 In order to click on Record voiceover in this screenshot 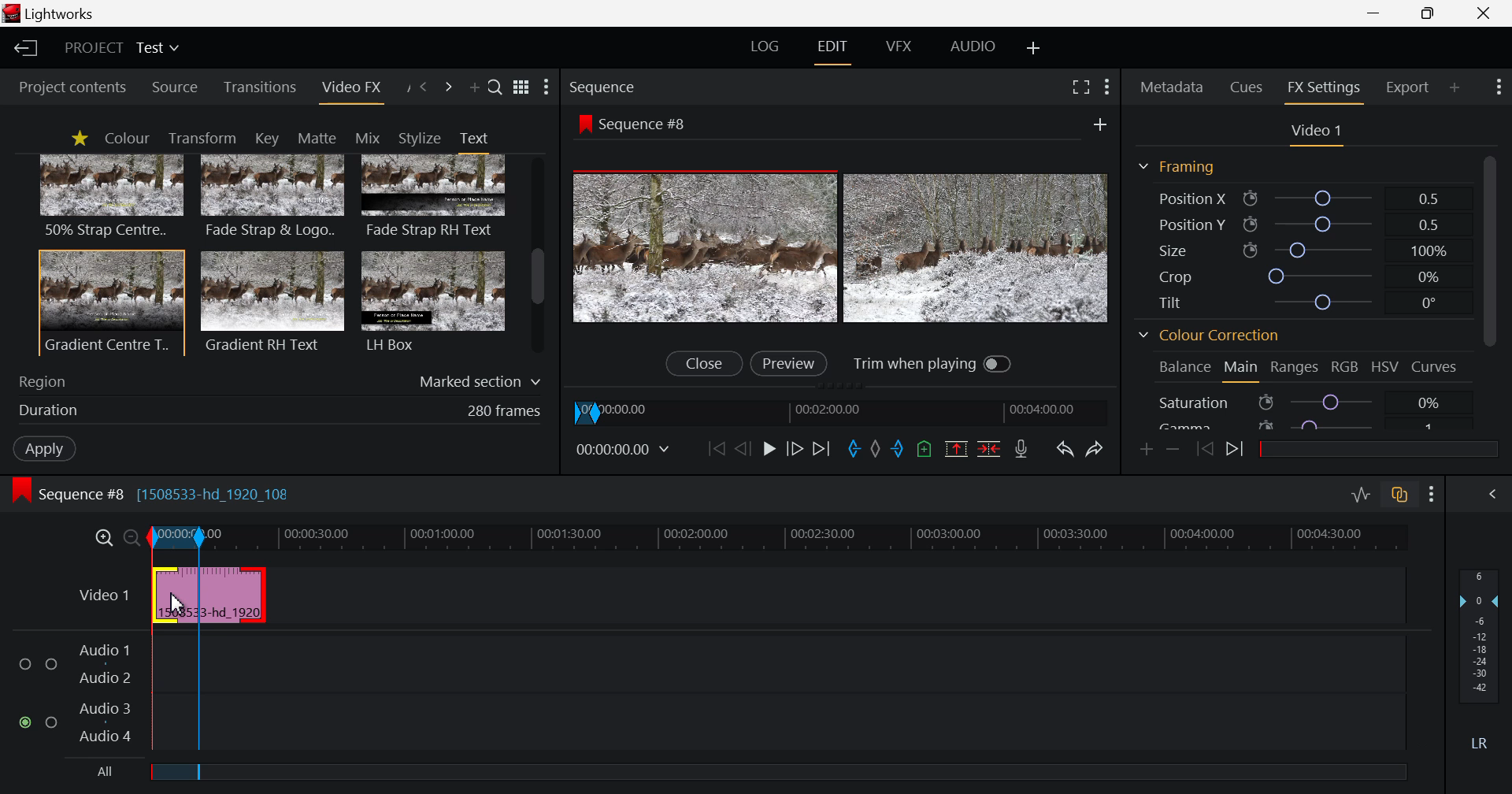, I will do `click(1021, 451)`.